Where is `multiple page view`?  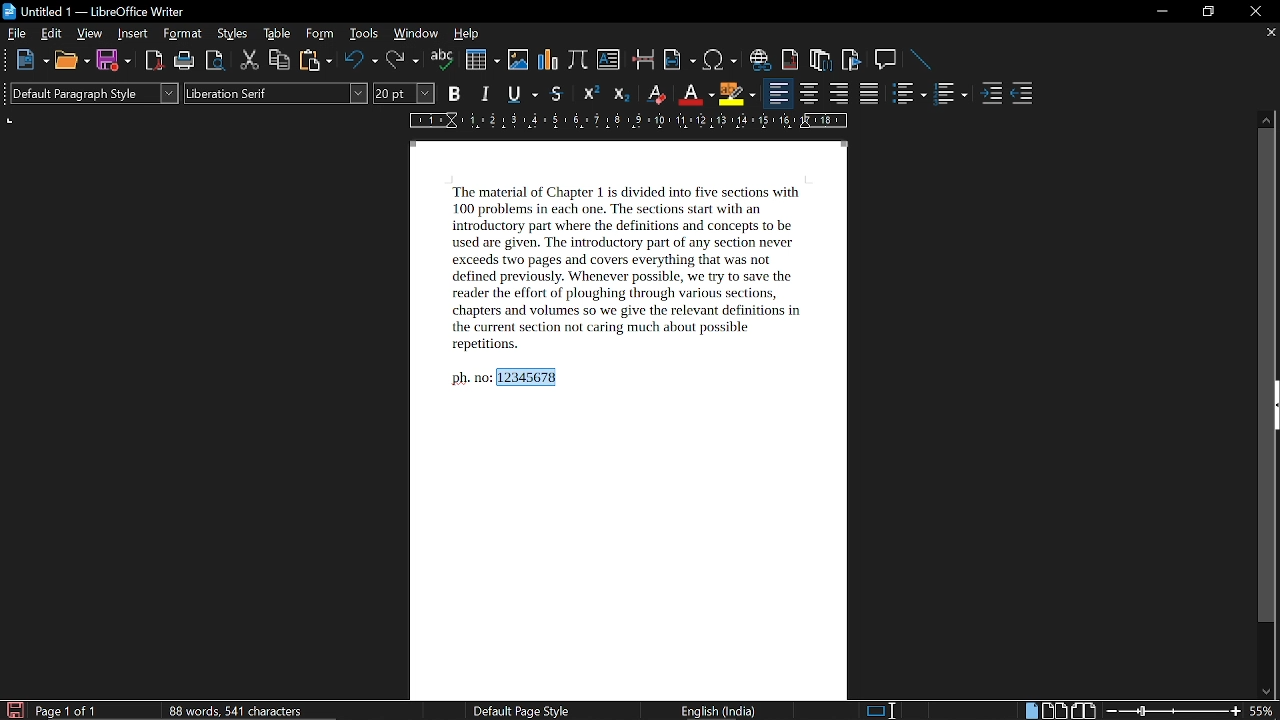
multiple page view is located at coordinates (1055, 711).